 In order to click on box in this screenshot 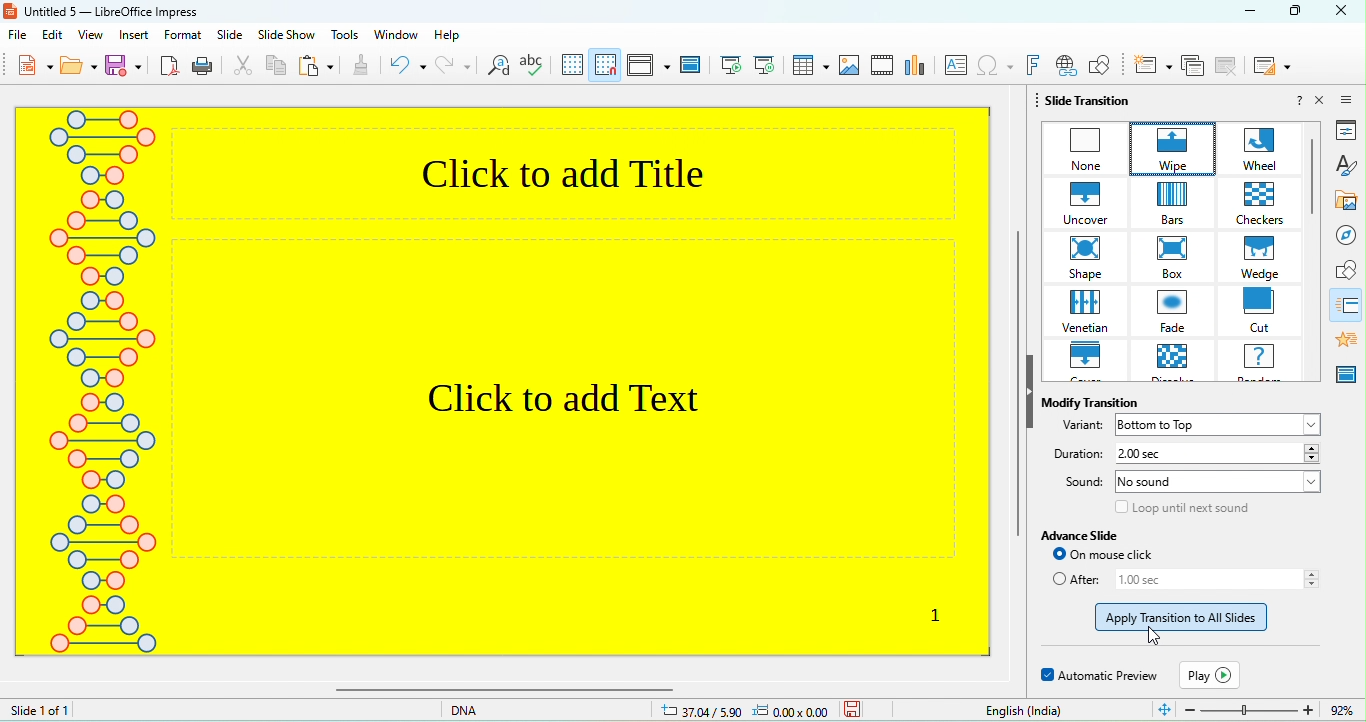, I will do `click(1180, 257)`.